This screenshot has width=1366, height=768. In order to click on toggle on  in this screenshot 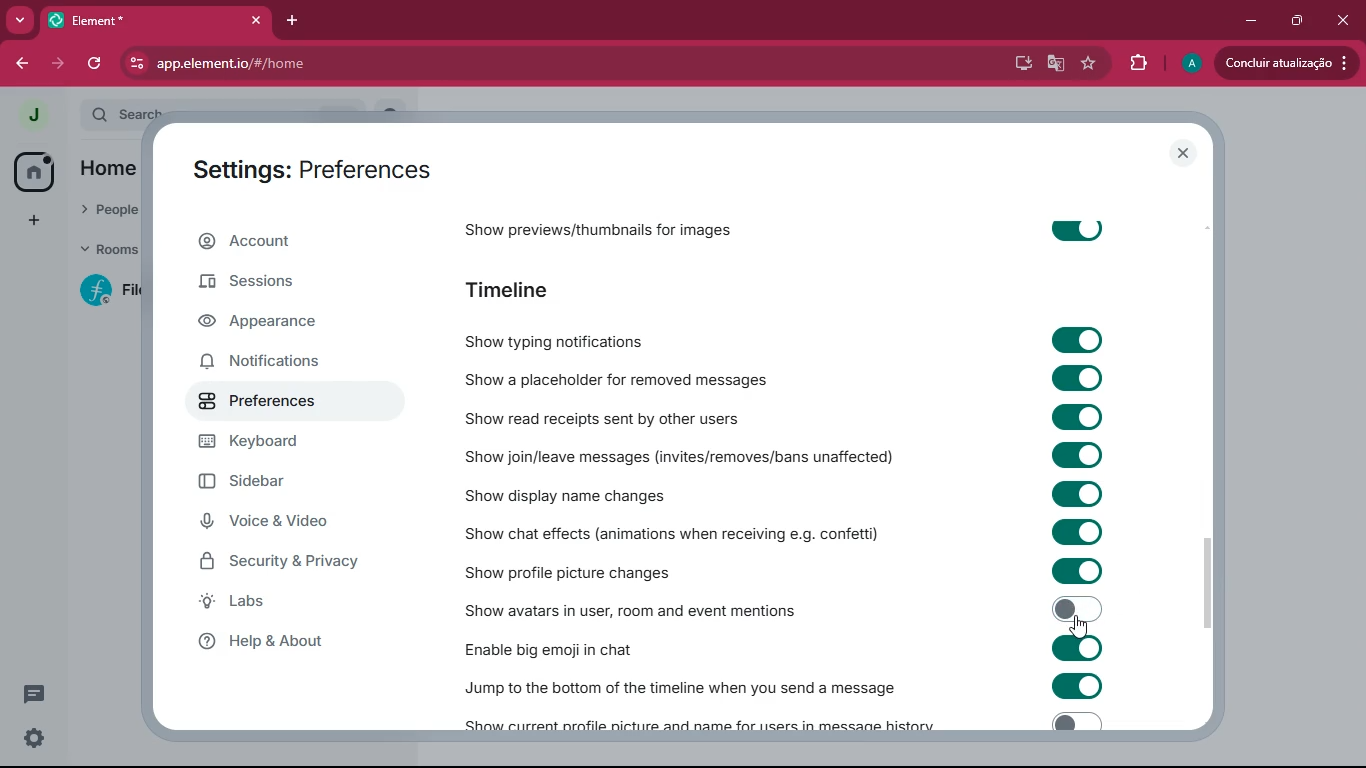, I will do `click(1076, 493)`.